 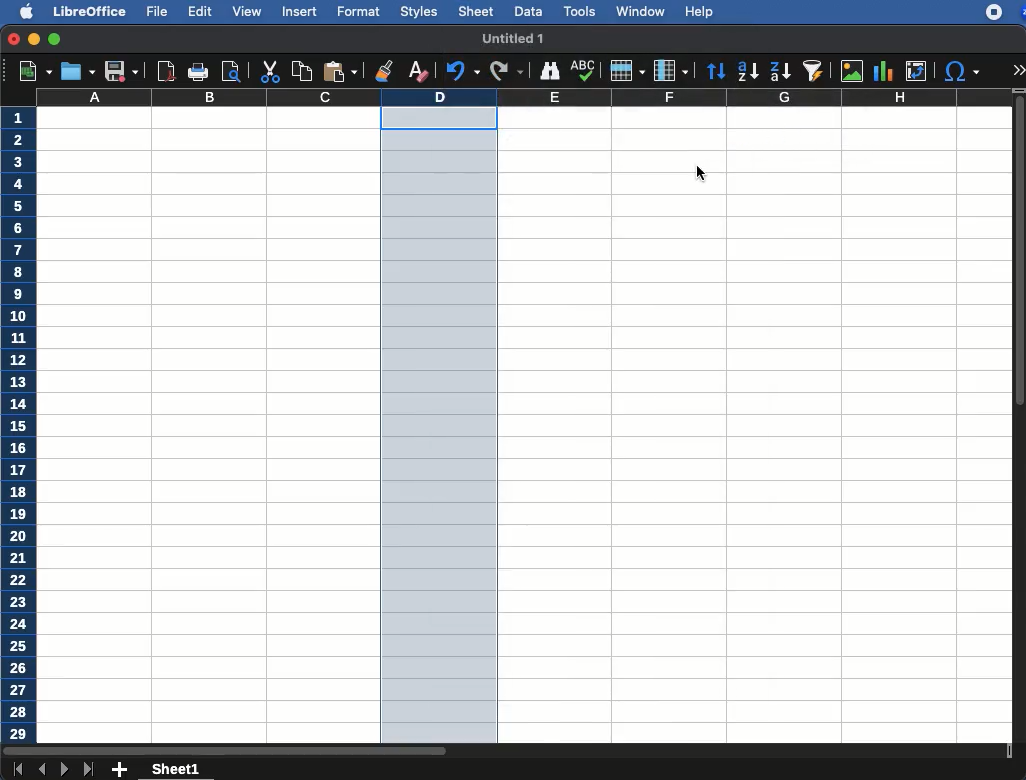 What do you see at coordinates (159, 12) in the screenshot?
I see `file` at bounding box center [159, 12].